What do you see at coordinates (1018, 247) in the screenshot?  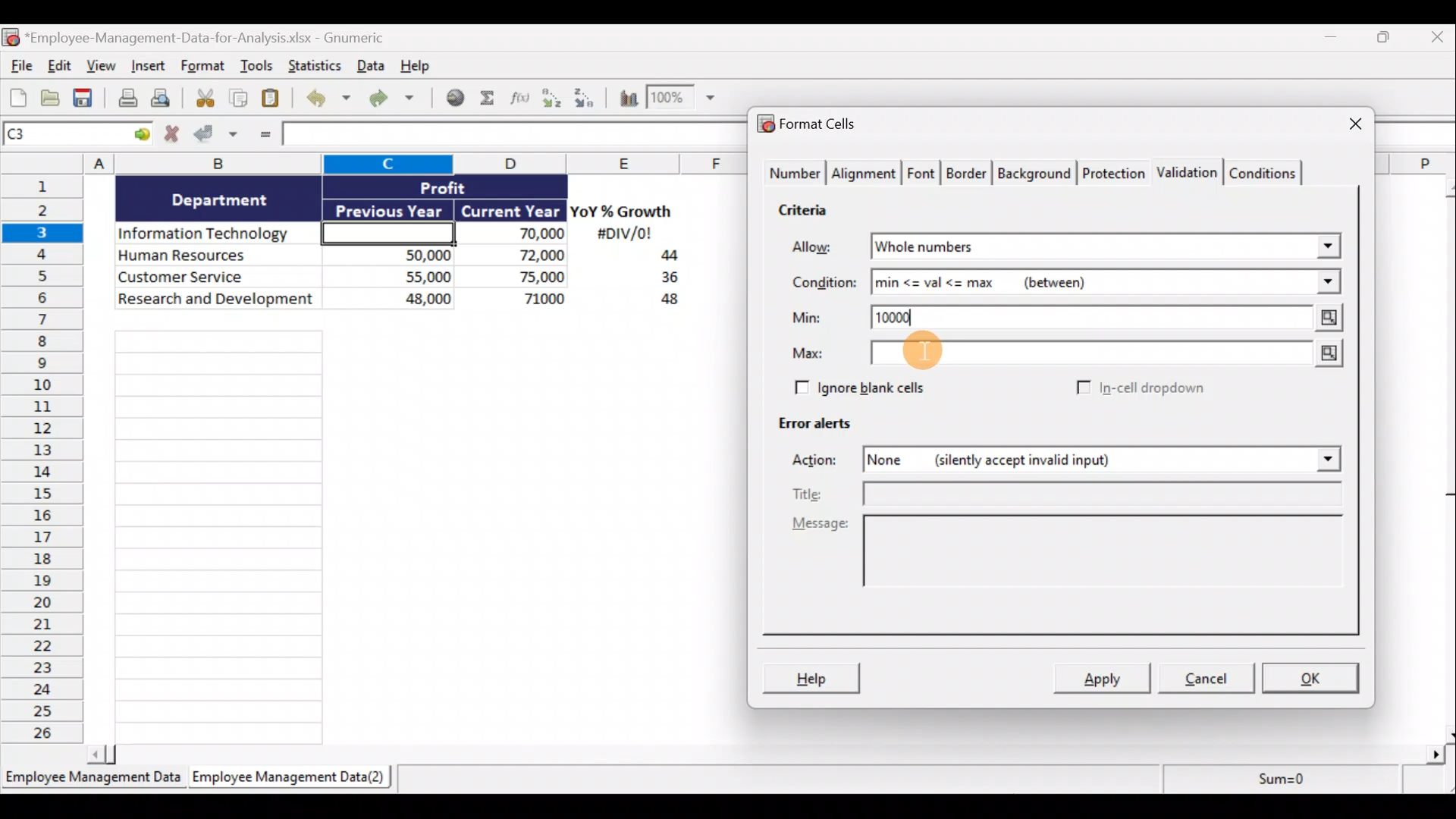 I see `Whole numbers` at bounding box center [1018, 247].